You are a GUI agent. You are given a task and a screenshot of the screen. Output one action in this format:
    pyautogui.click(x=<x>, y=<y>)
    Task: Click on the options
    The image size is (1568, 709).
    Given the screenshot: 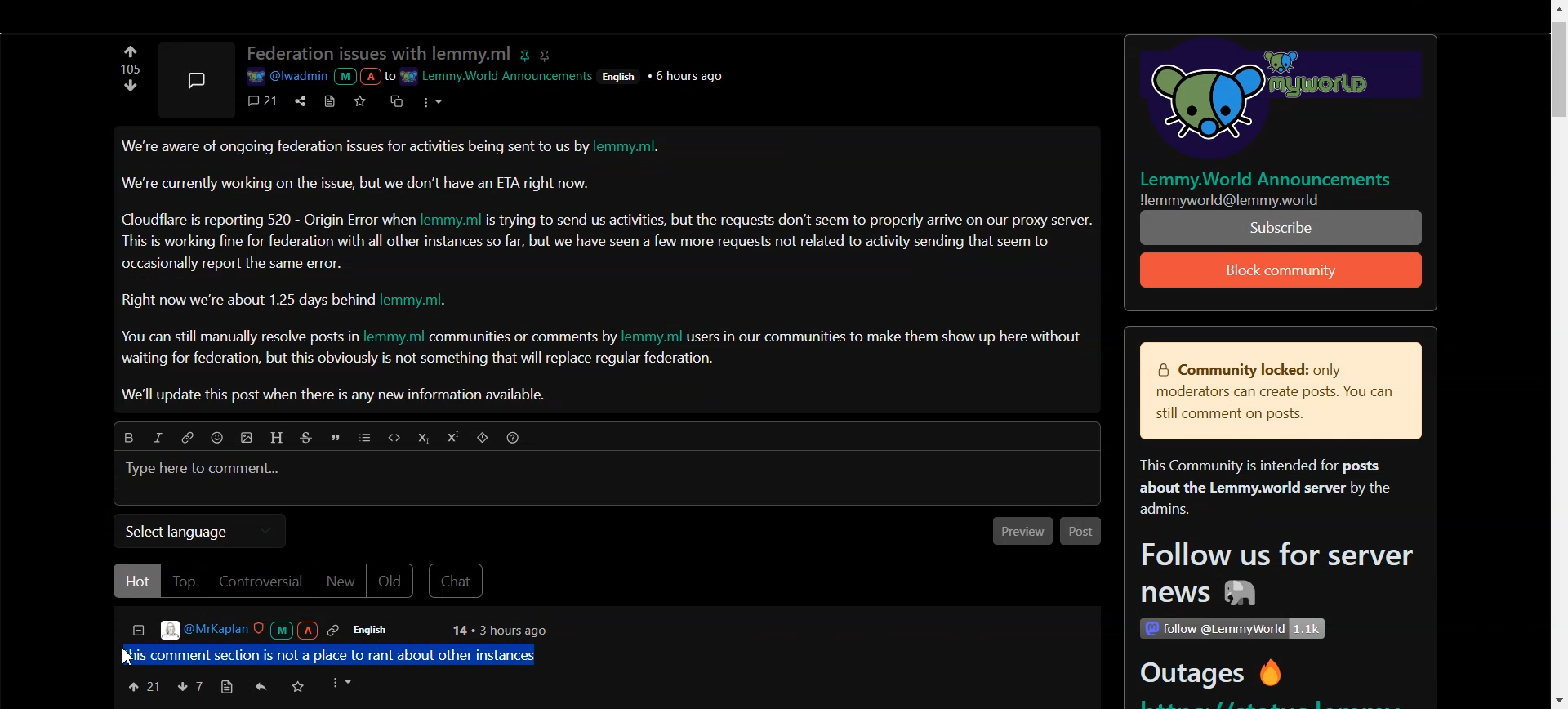 What is the action you would take?
    pyautogui.click(x=430, y=100)
    